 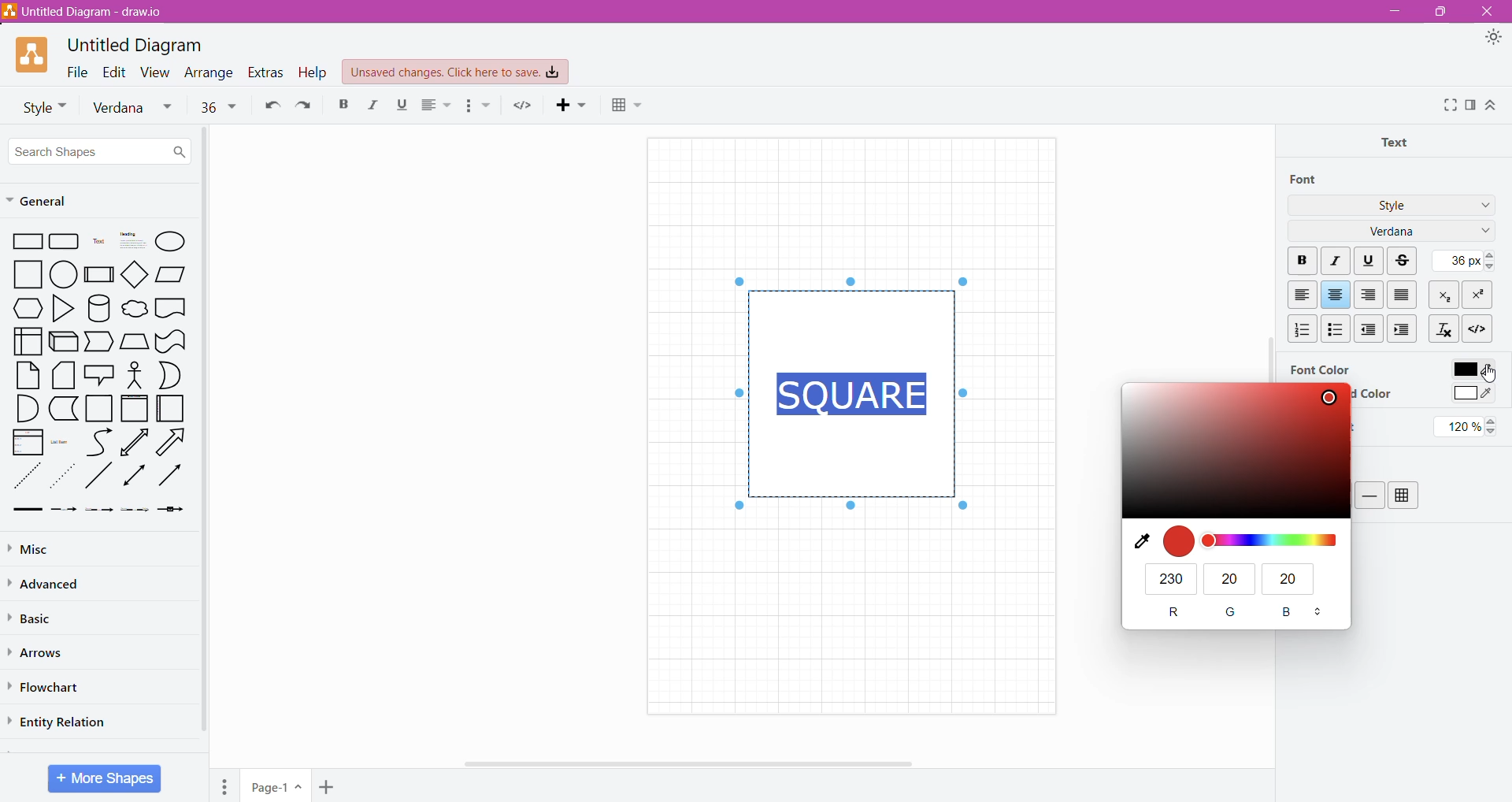 What do you see at coordinates (1232, 612) in the screenshot?
I see `G` at bounding box center [1232, 612].